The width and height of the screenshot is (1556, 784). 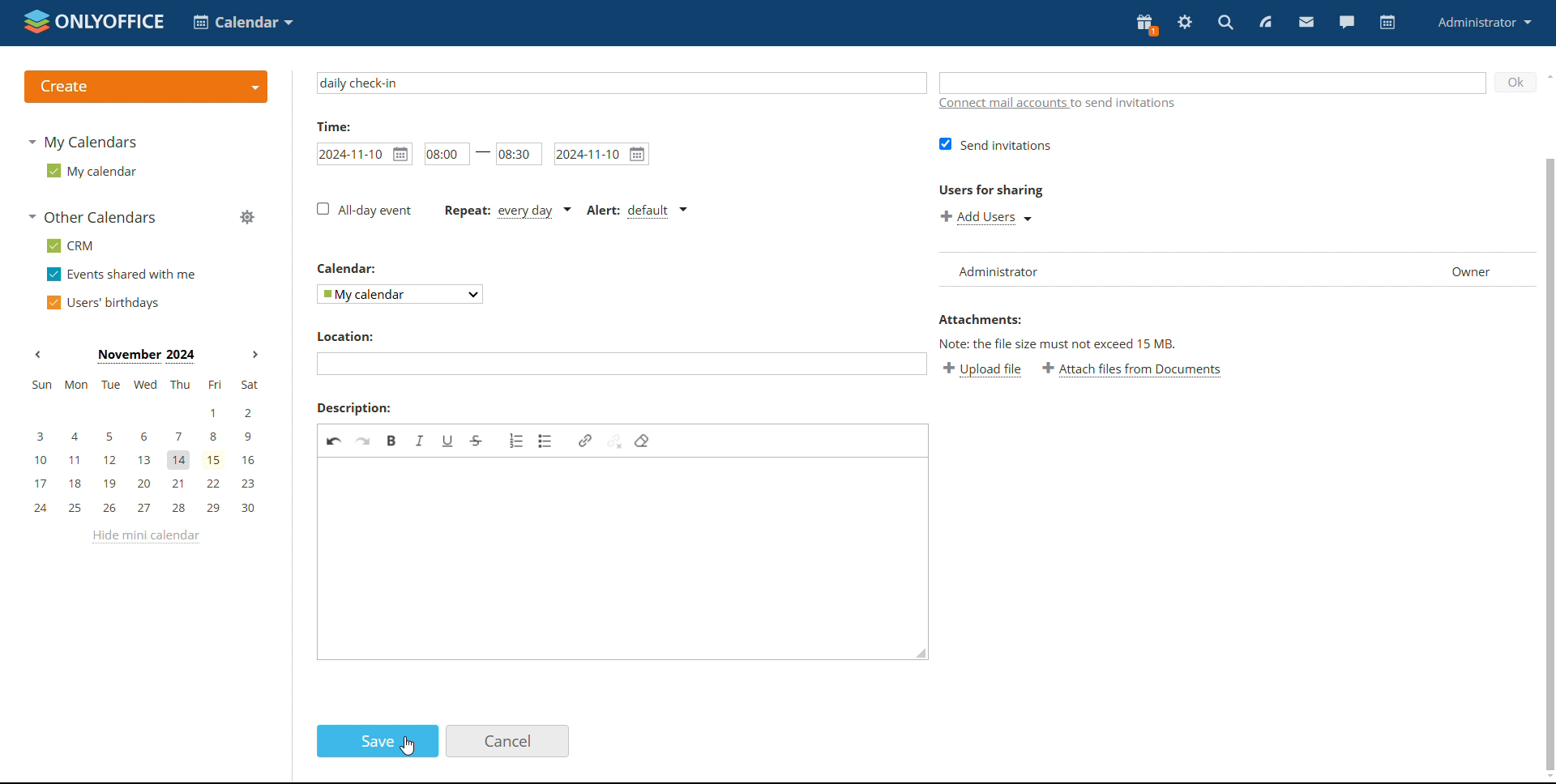 What do you see at coordinates (1346, 21) in the screenshot?
I see `chat` at bounding box center [1346, 21].